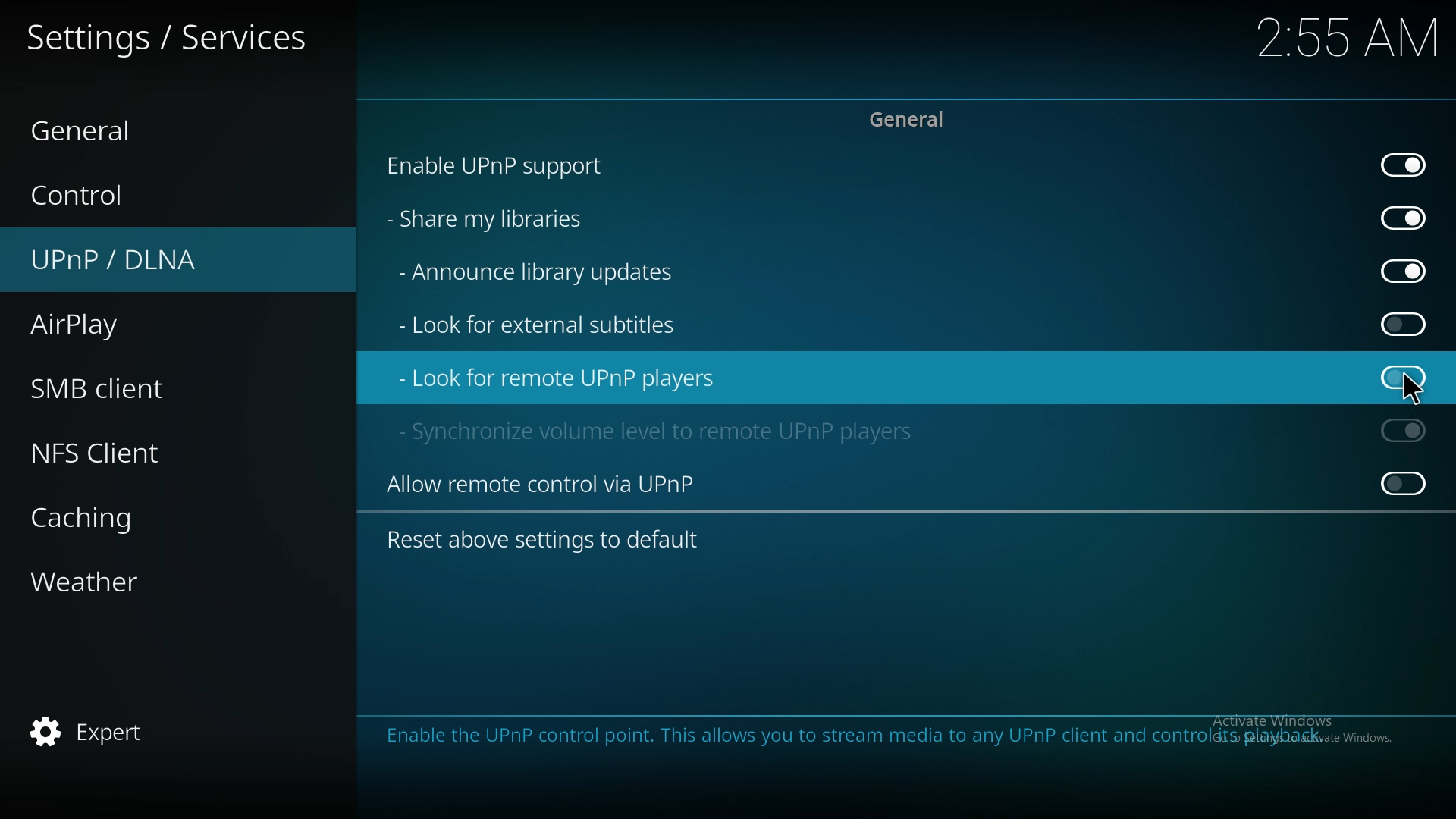 The image size is (1456, 819). I want to click on allow remote control via upnp, so click(560, 483).